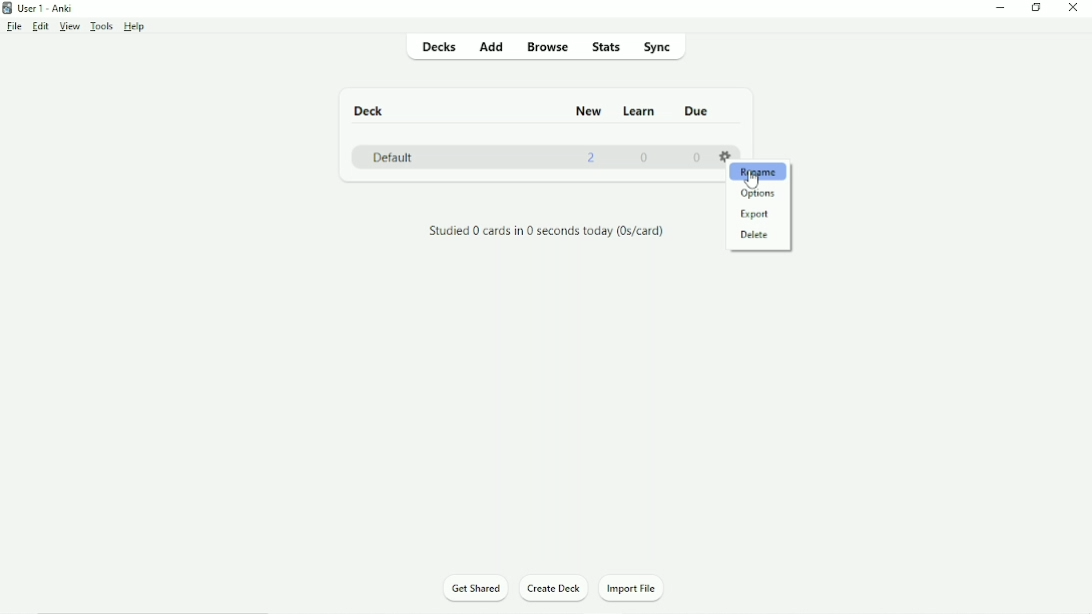 The width and height of the screenshot is (1092, 614). I want to click on File, so click(14, 26).